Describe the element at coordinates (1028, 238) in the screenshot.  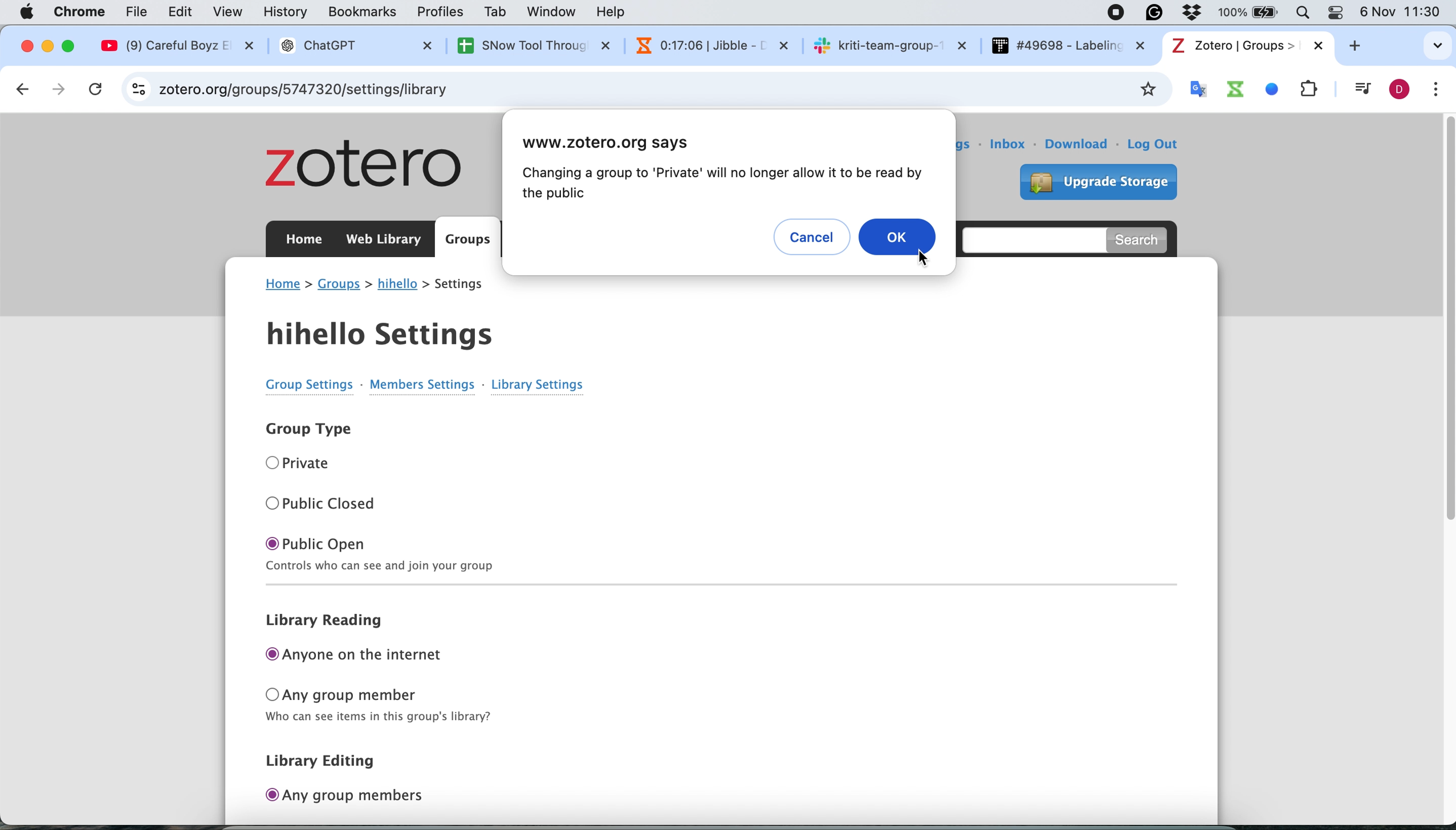
I see `search ` at that location.